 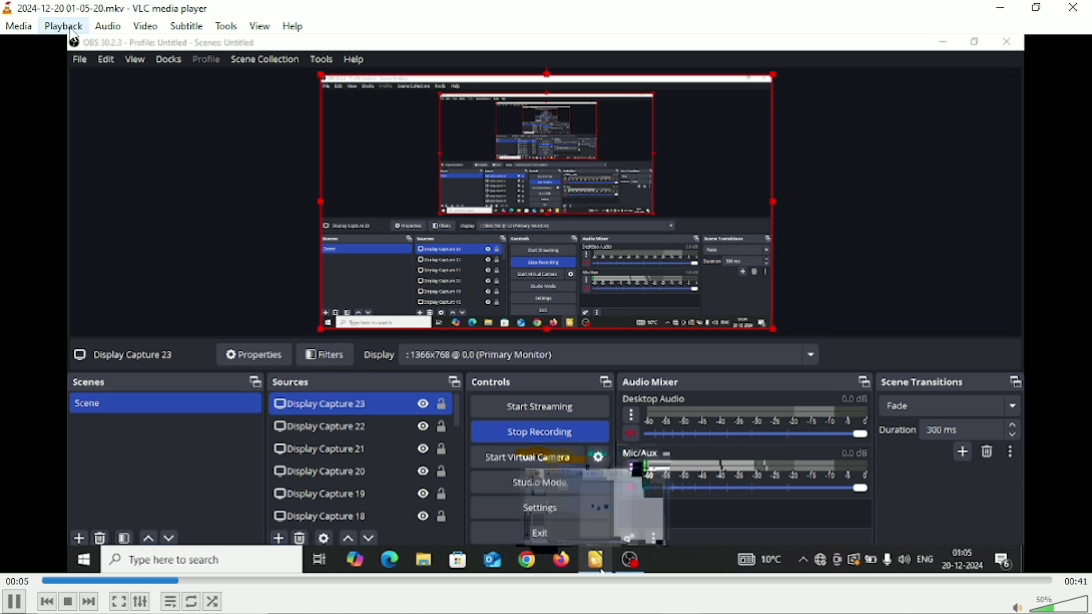 What do you see at coordinates (259, 24) in the screenshot?
I see `View` at bounding box center [259, 24].